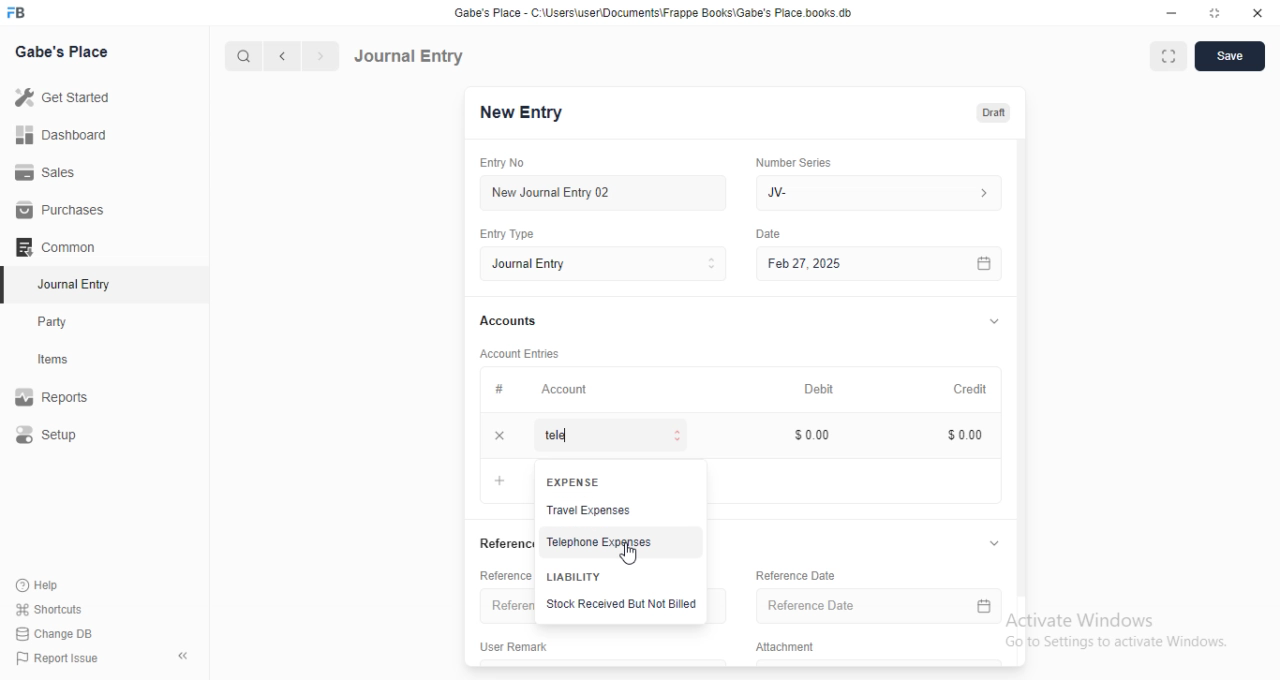 This screenshot has width=1280, height=680. What do you see at coordinates (239, 56) in the screenshot?
I see `Search` at bounding box center [239, 56].